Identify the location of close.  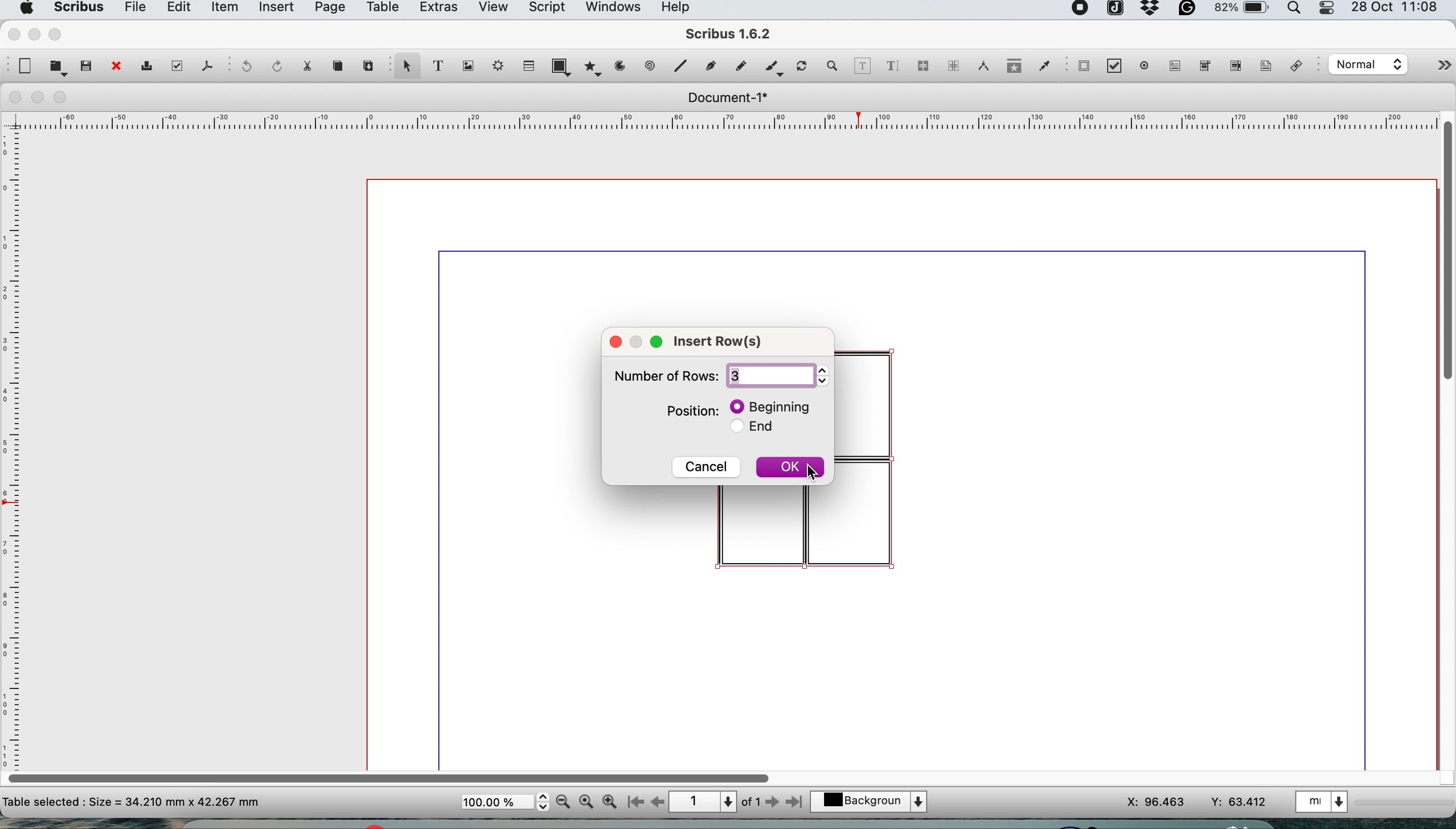
(13, 97).